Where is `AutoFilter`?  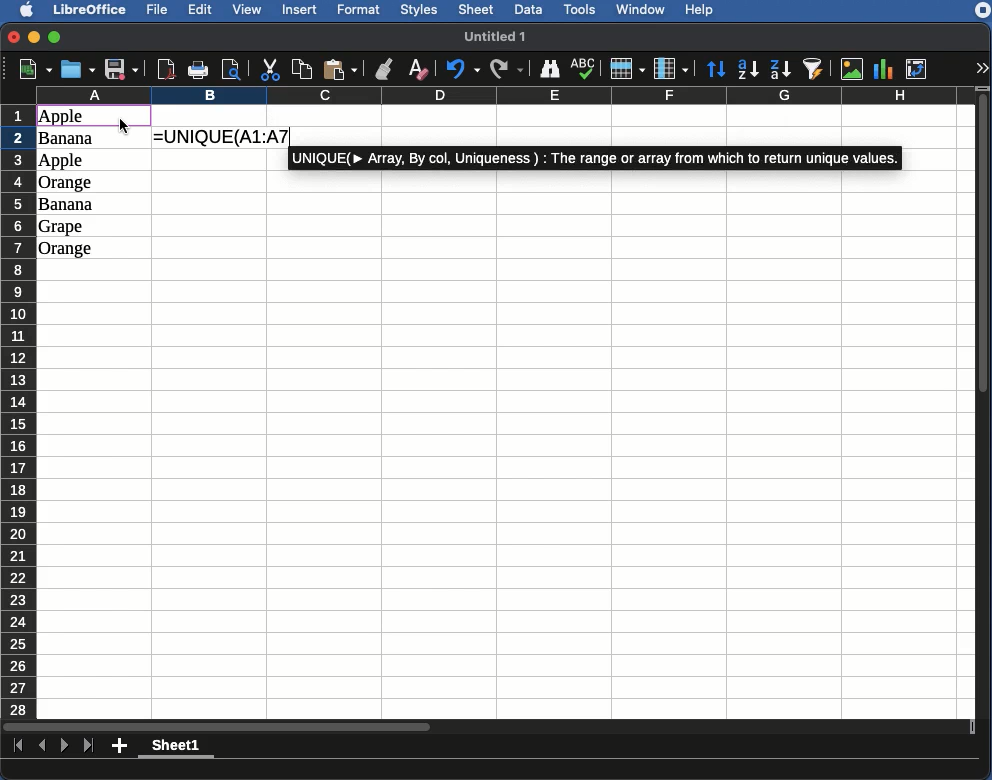
AutoFilter is located at coordinates (816, 68).